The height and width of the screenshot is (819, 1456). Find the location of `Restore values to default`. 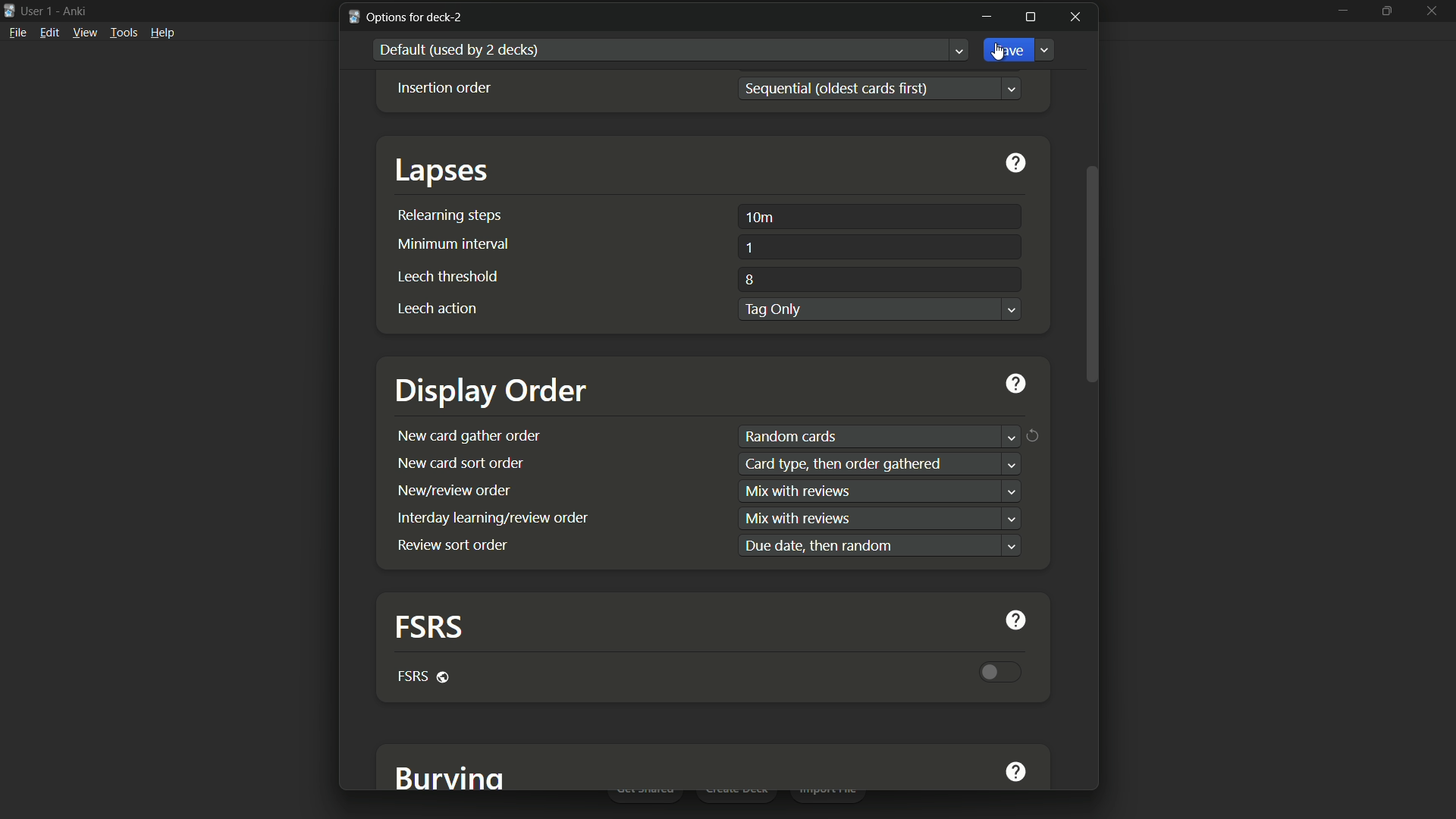

Restore values to default is located at coordinates (1034, 435).